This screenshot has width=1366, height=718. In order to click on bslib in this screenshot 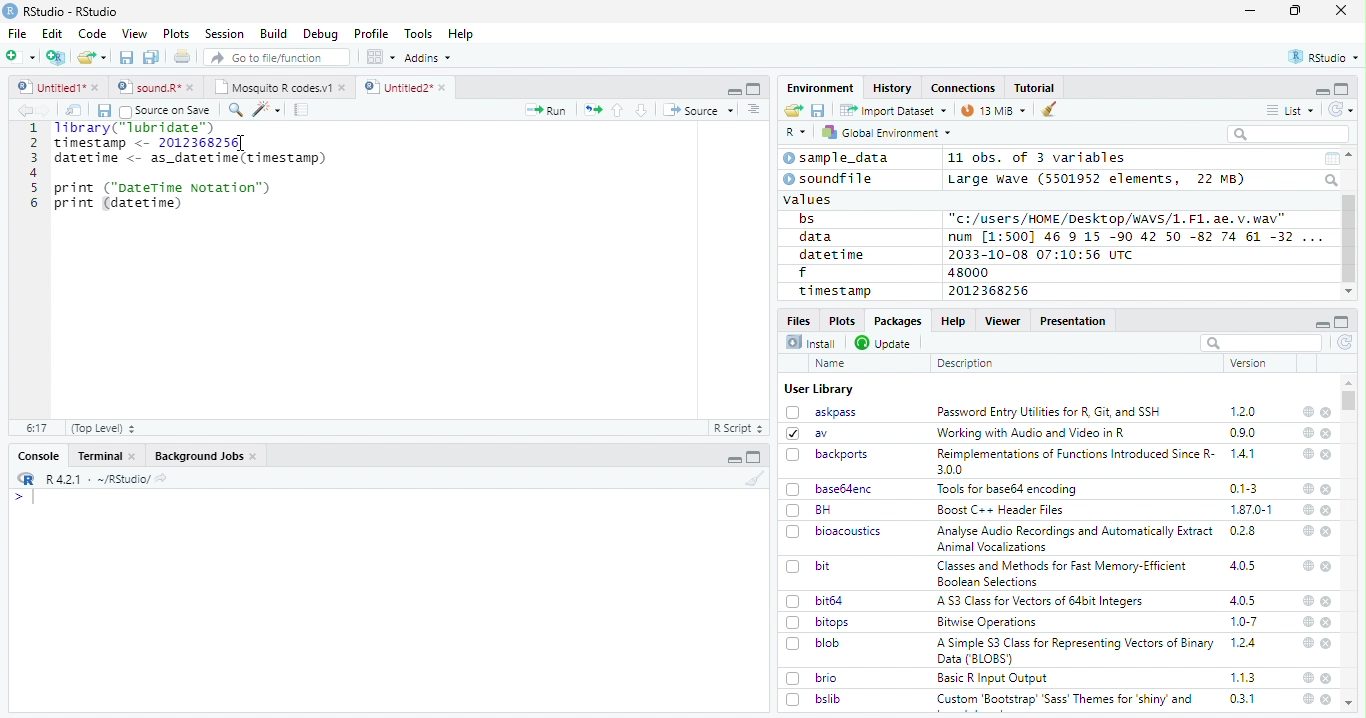, I will do `click(814, 698)`.